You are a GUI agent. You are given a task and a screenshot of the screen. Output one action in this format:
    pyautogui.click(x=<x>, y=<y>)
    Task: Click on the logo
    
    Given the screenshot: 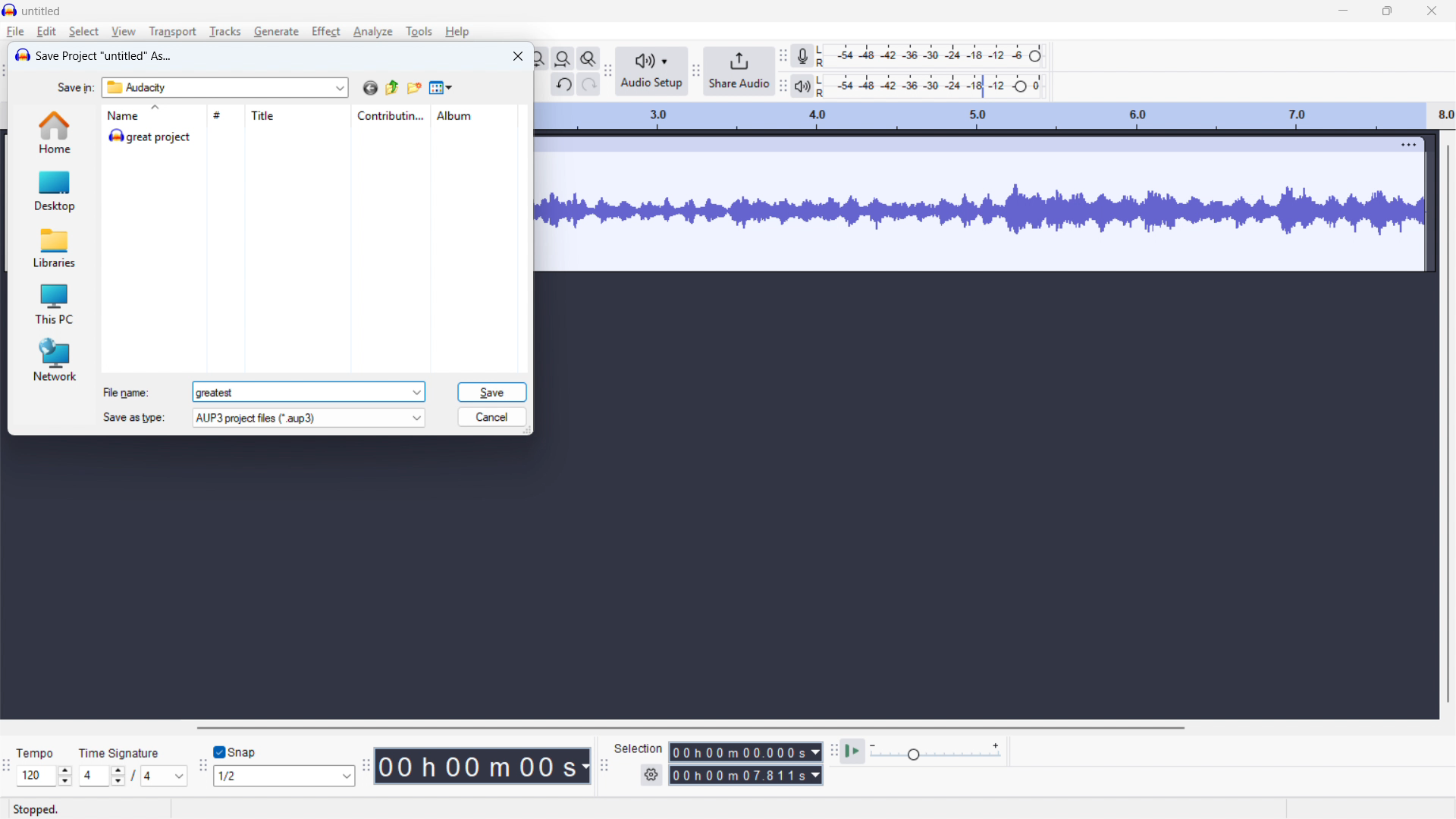 What is the action you would take?
    pyautogui.click(x=22, y=55)
    